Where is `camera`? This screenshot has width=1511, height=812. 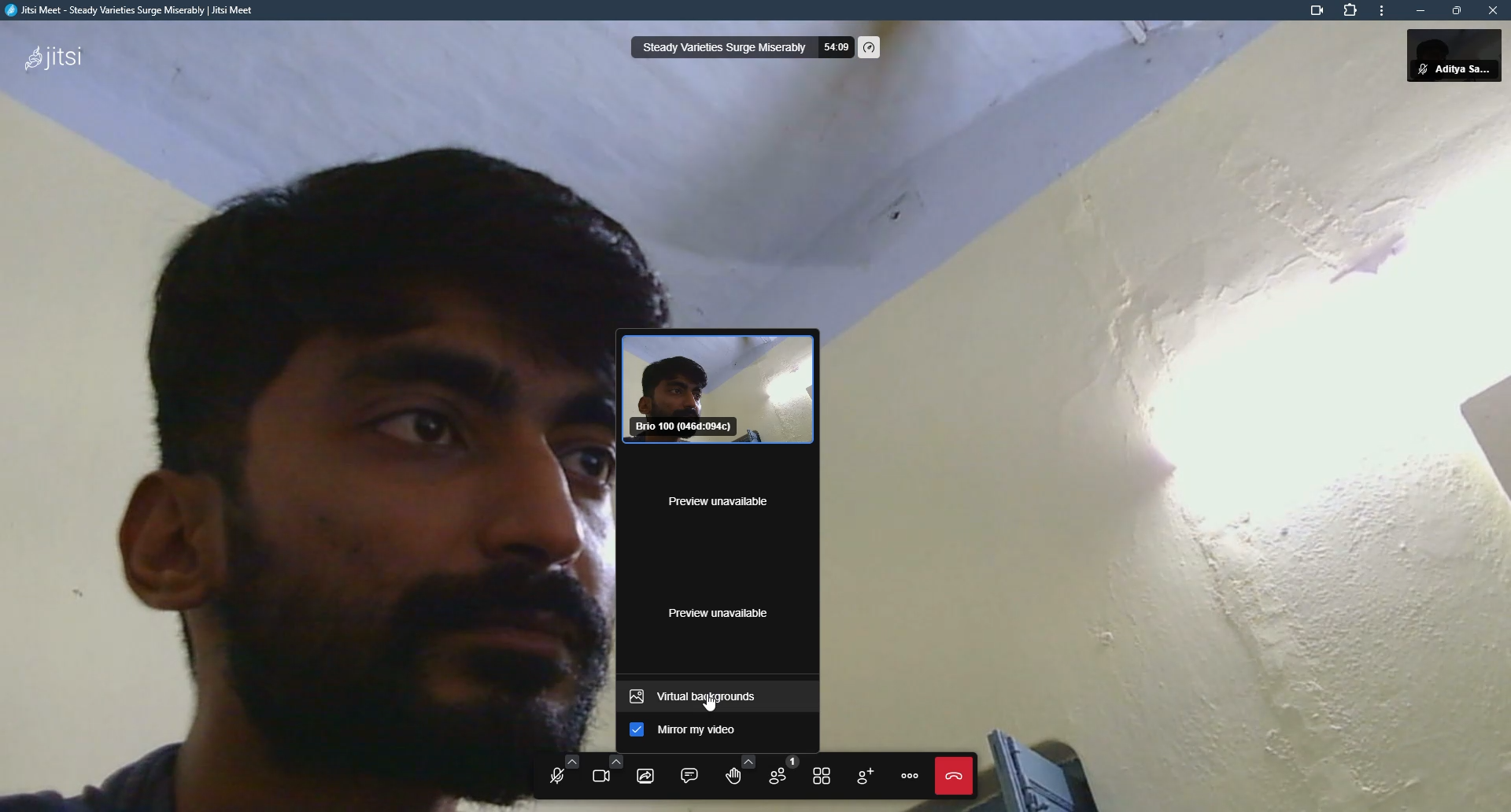 camera is located at coordinates (1311, 12).